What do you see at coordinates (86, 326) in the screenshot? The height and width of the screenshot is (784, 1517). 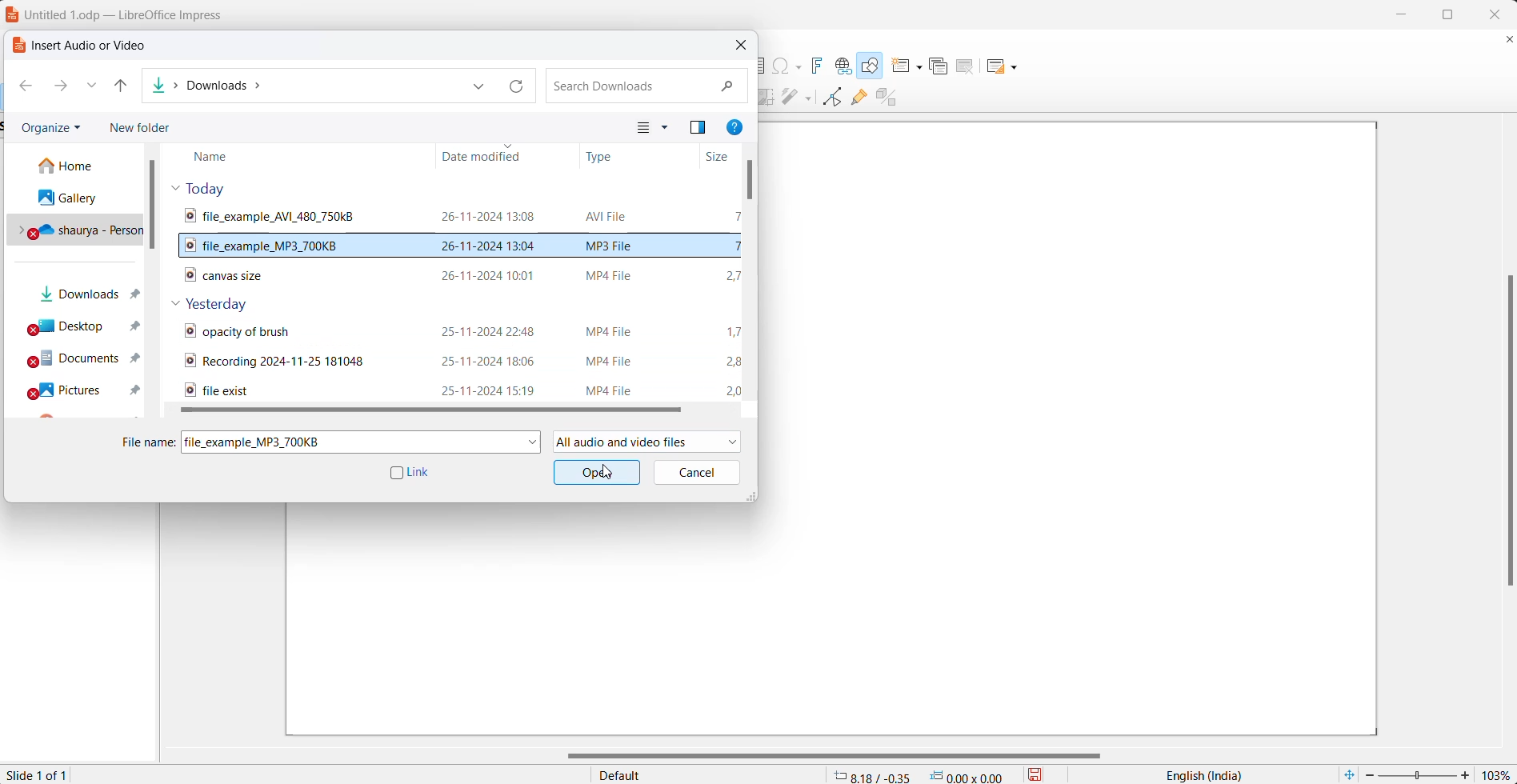 I see `desktop` at bounding box center [86, 326].